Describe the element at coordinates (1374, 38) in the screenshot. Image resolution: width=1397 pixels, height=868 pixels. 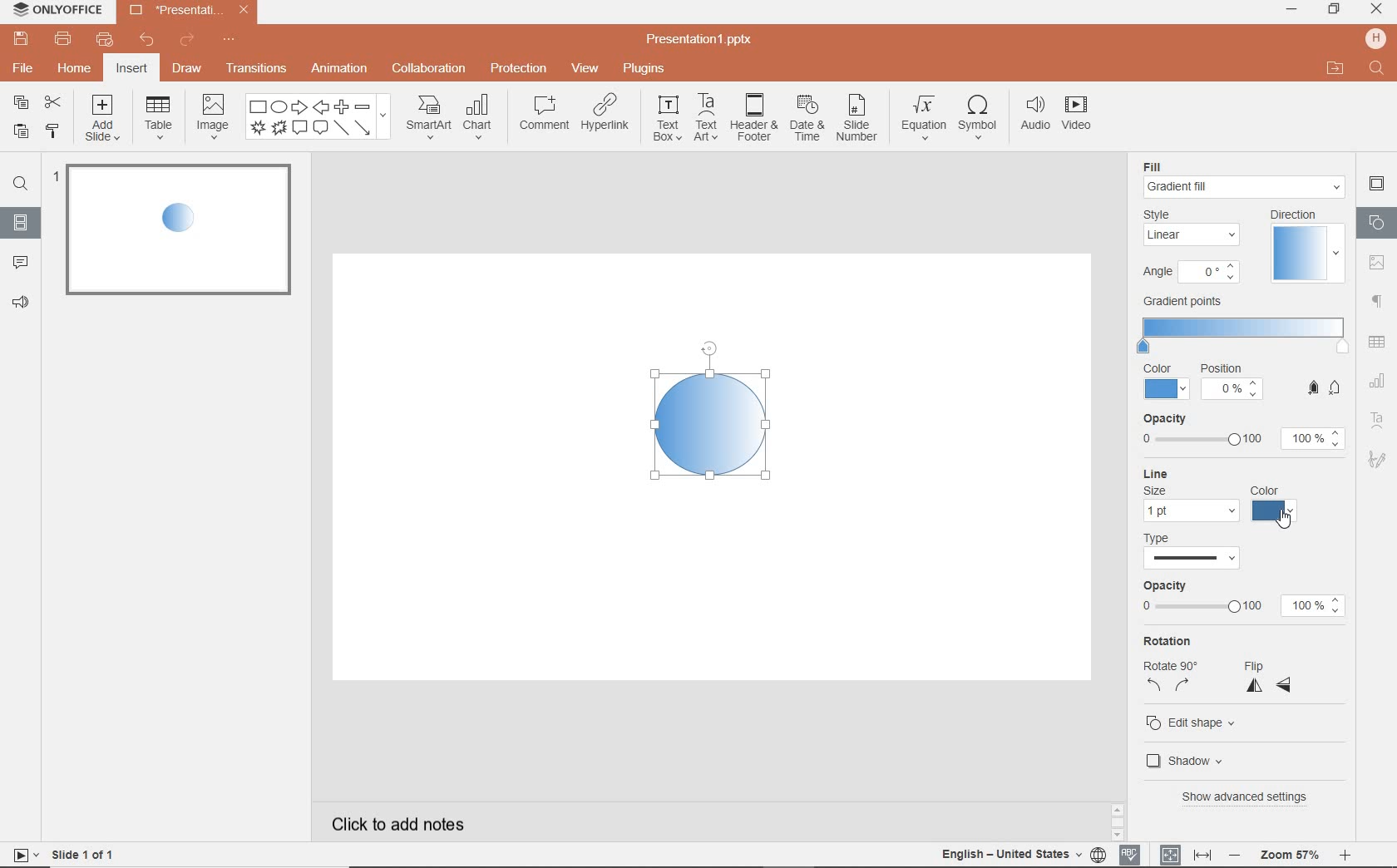
I see `hp` at that location.